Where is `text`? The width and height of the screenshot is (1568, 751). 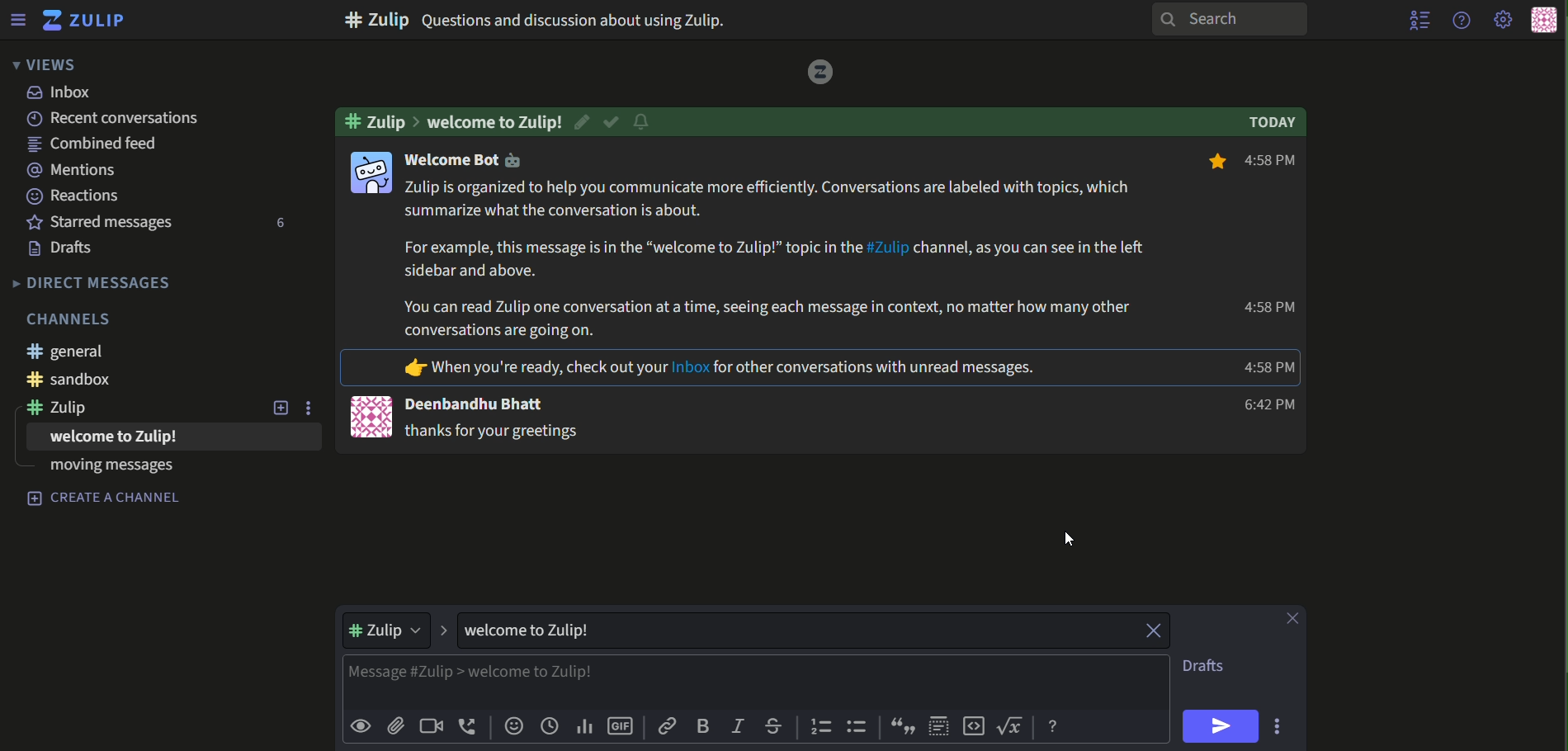
text is located at coordinates (172, 119).